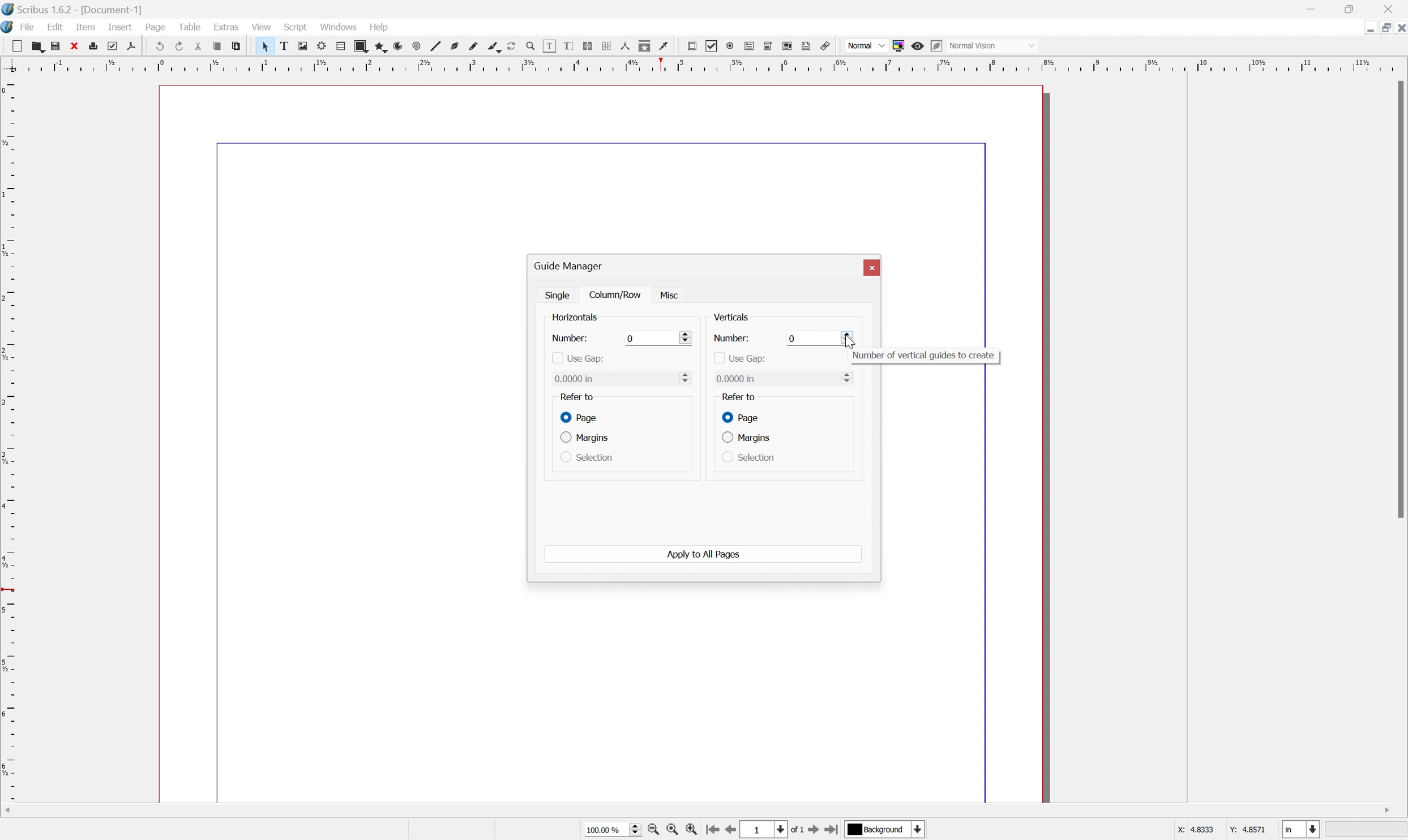  I want to click on spiral, so click(416, 46).